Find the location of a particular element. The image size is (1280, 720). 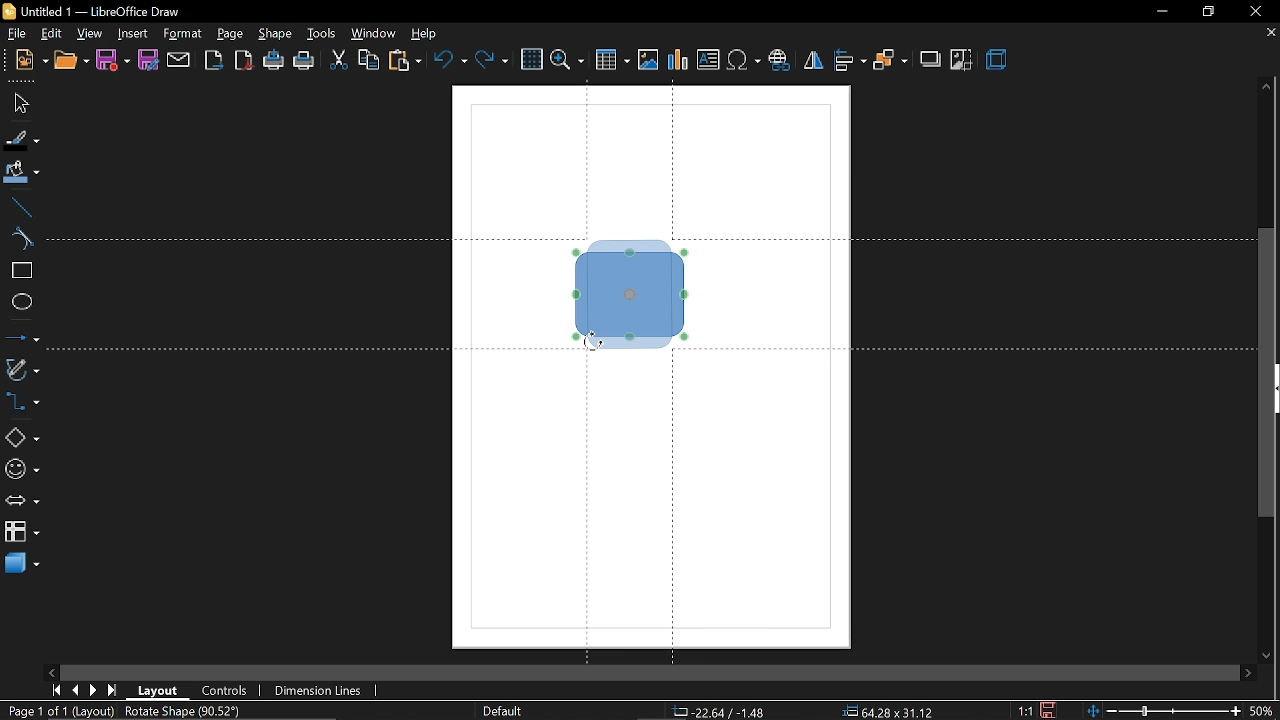

move left is located at coordinates (53, 673).